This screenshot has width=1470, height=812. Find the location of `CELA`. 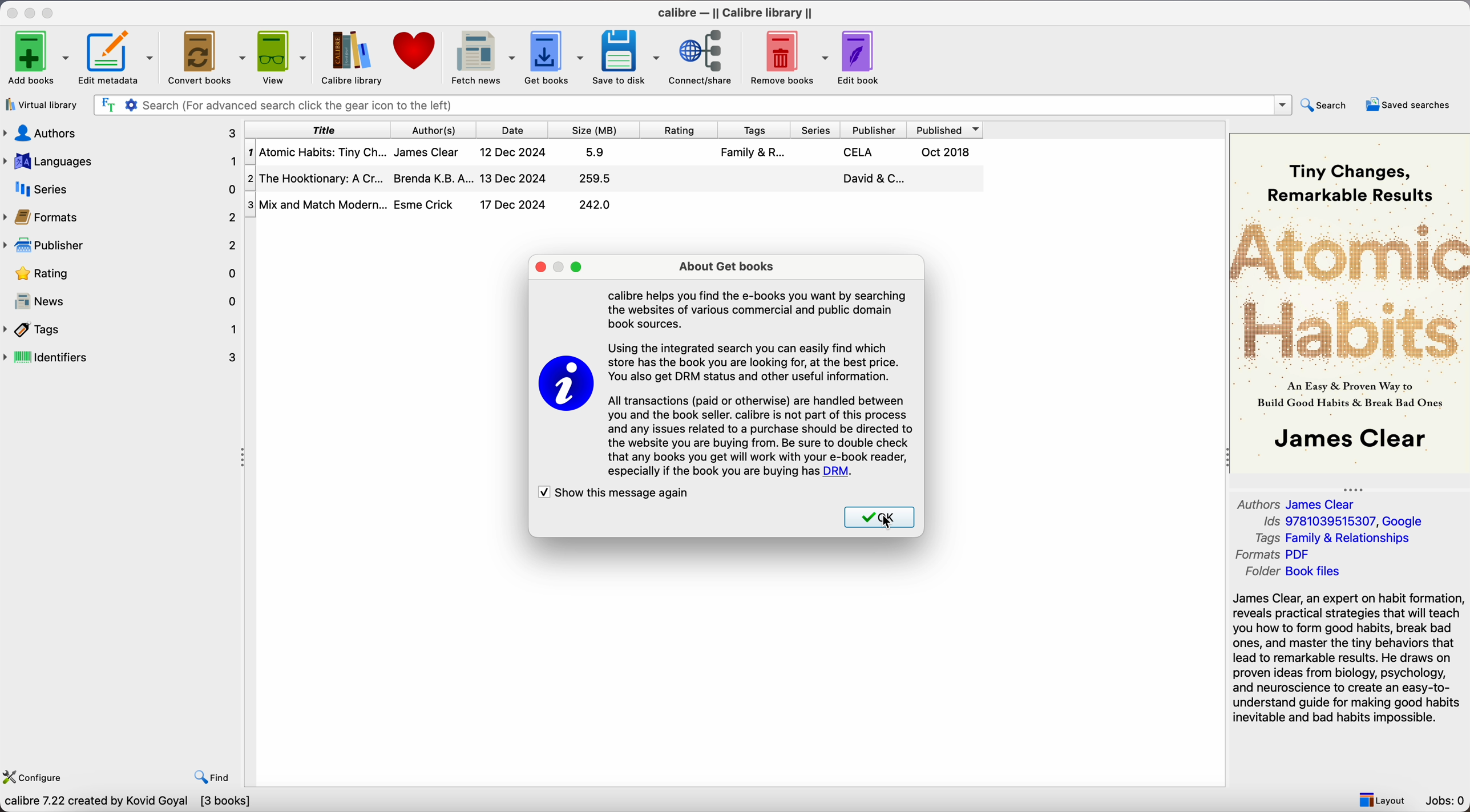

CELA is located at coordinates (861, 152).